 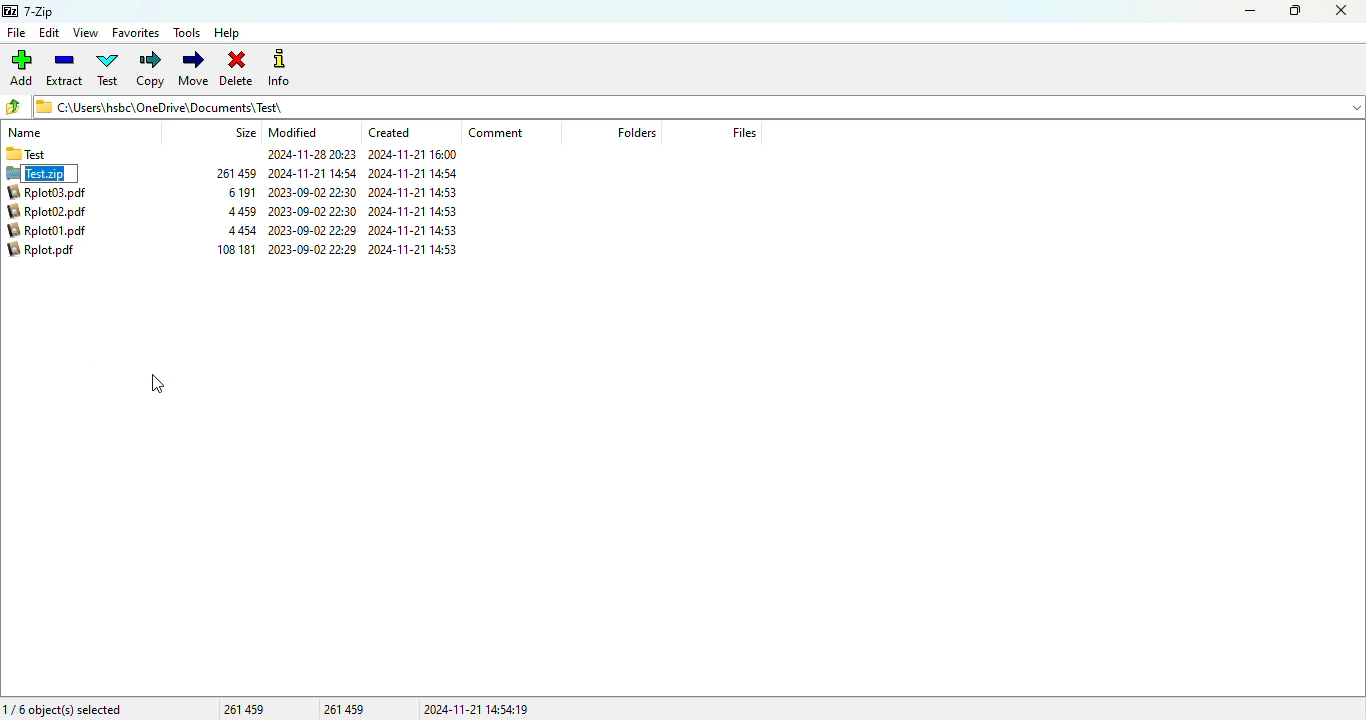 What do you see at coordinates (422, 192) in the screenshot?
I see `2024-11-21 14:53` at bounding box center [422, 192].